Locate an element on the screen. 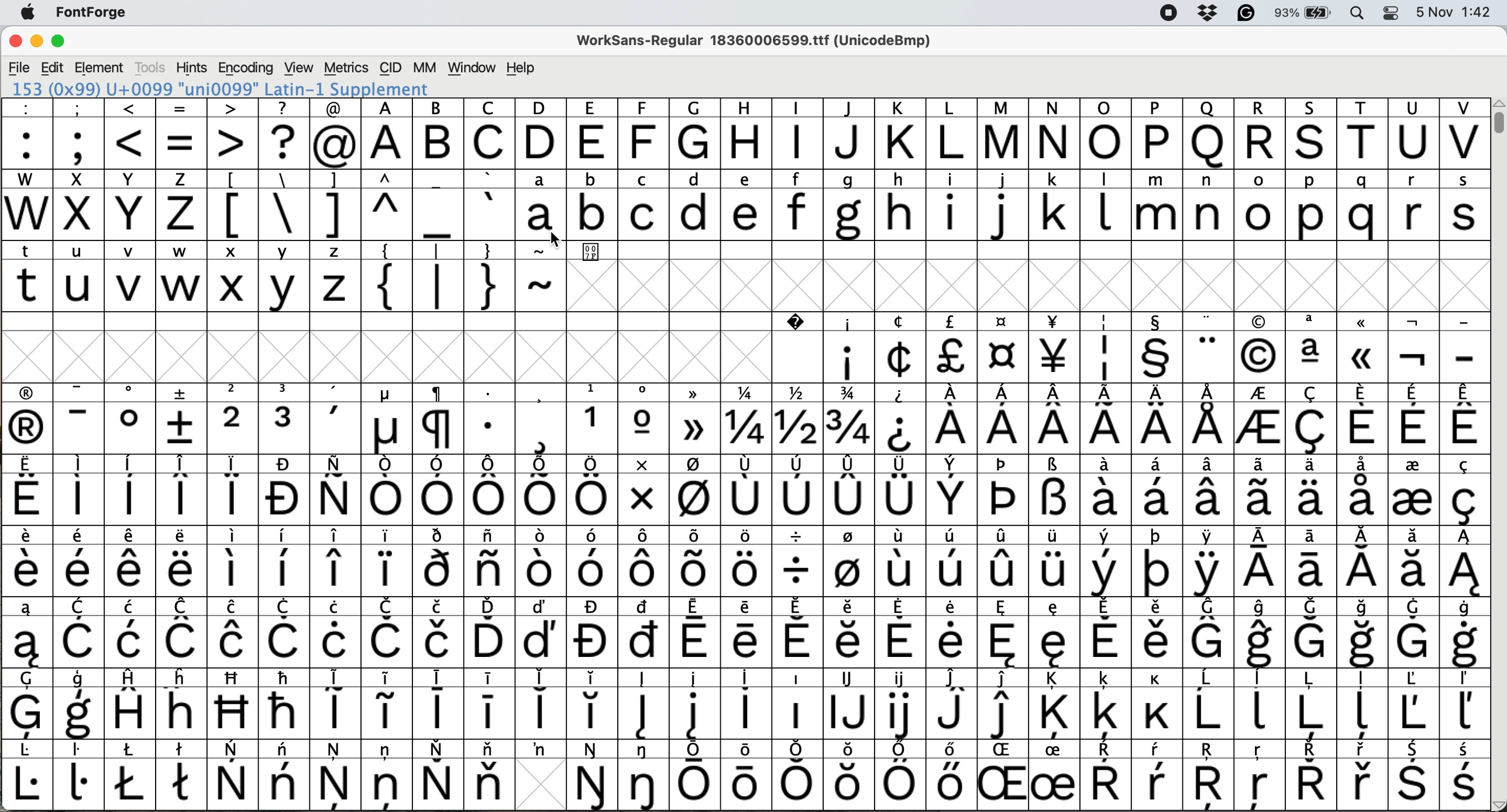 The image size is (1507, 812). grammarly is located at coordinates (1245, 15).